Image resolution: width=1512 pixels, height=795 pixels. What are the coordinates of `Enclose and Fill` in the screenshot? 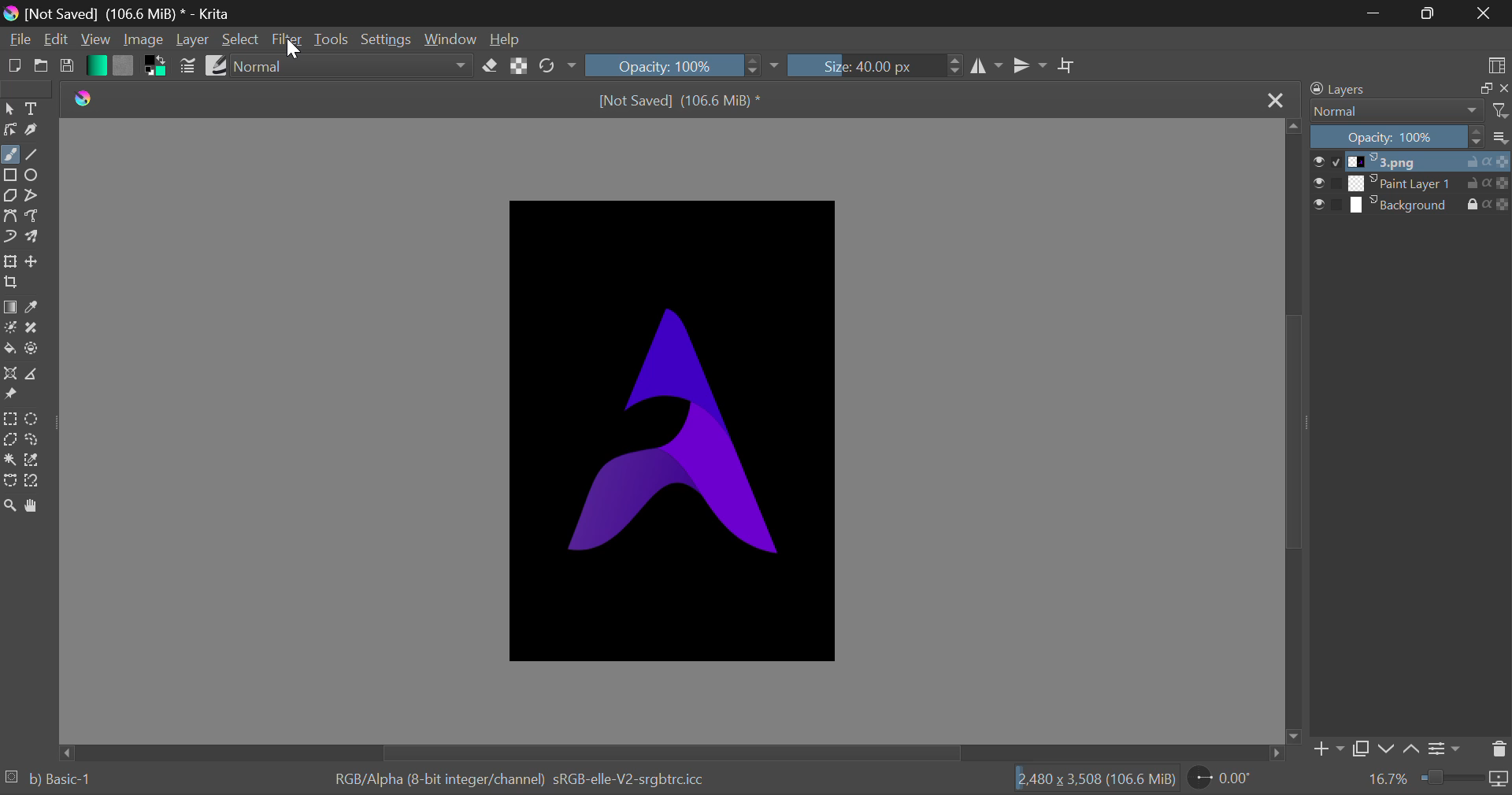 It's located at (33, 349).